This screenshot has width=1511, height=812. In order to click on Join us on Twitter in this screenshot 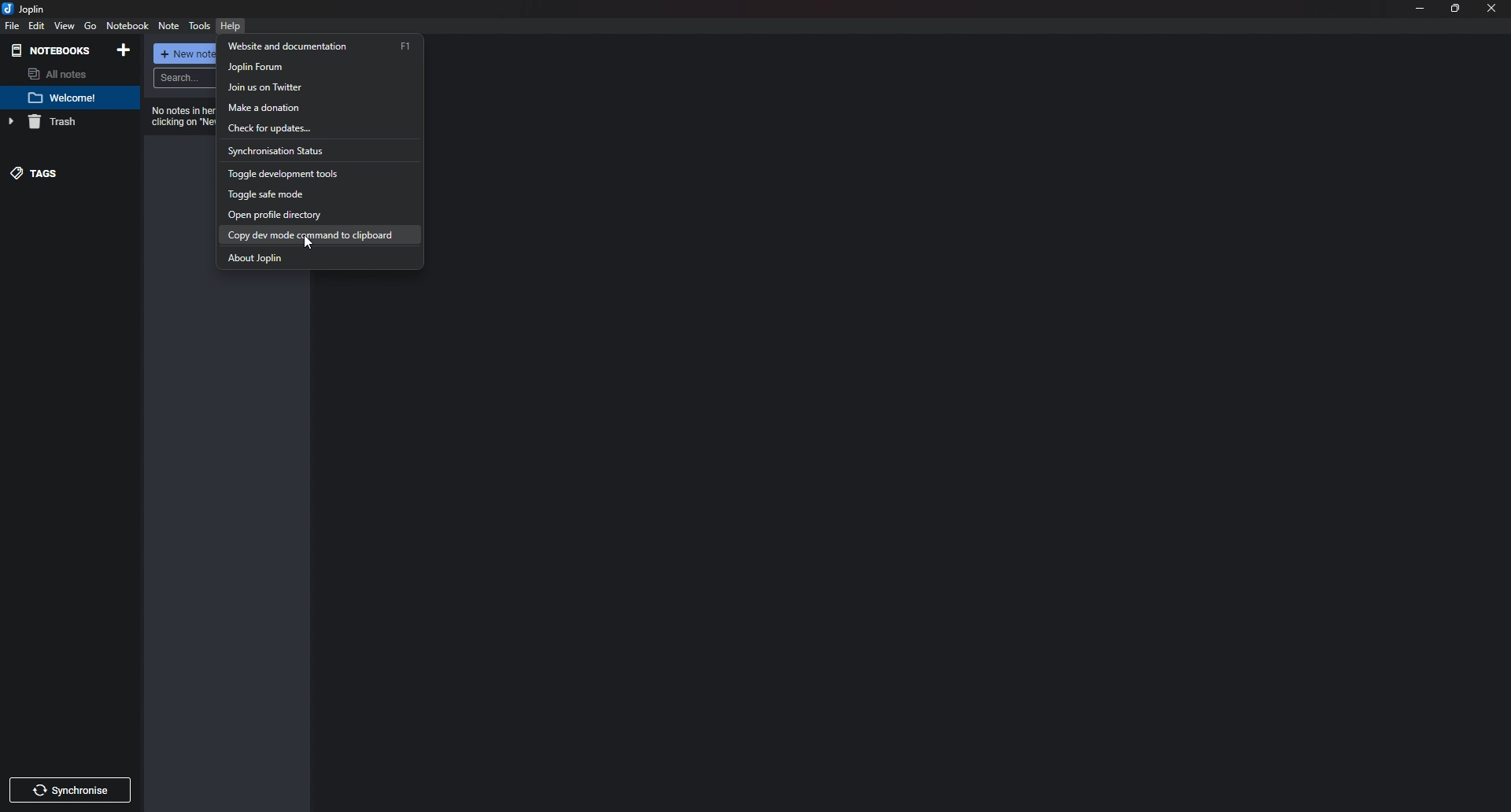, I will do `click(310, 86)`.